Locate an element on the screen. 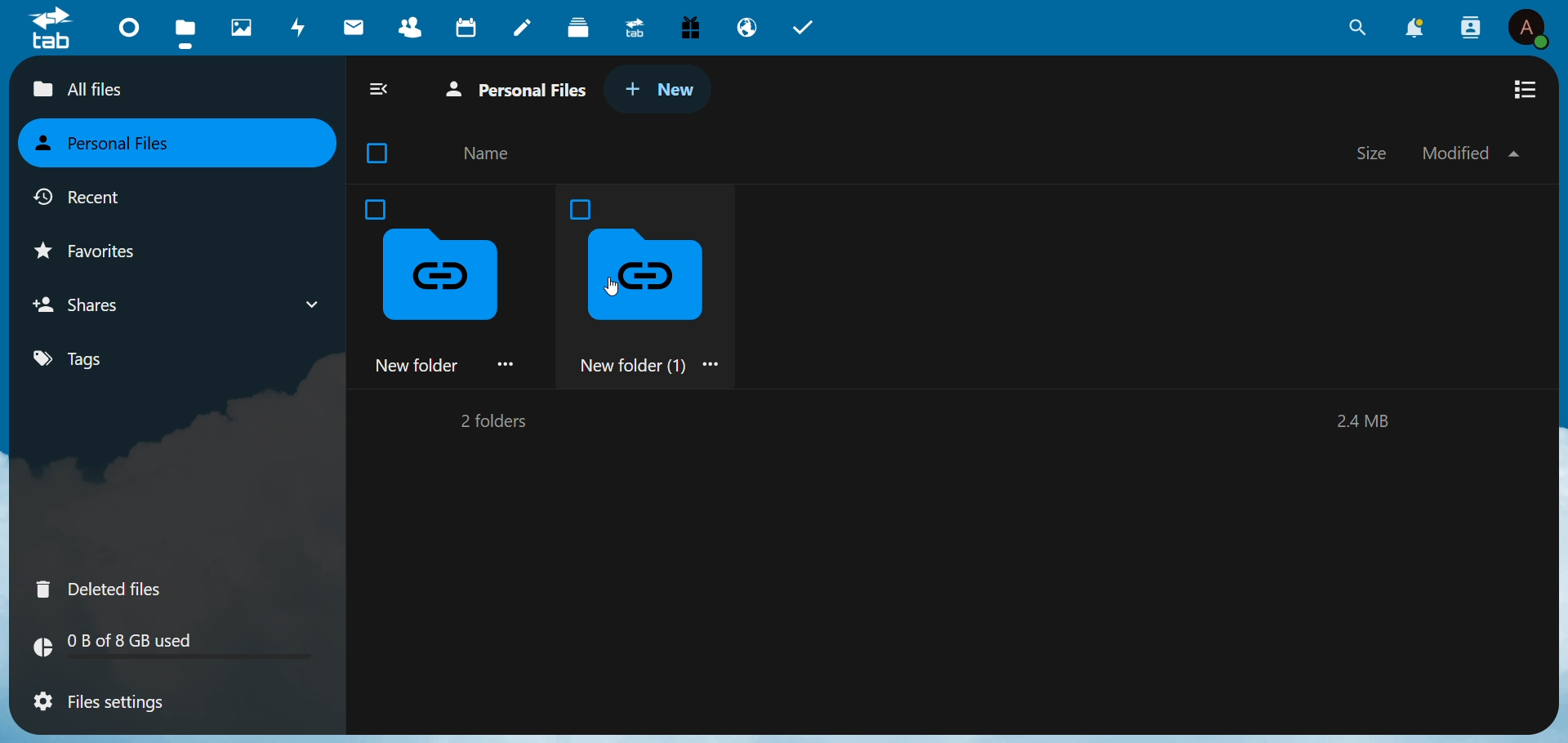  file is located at coordinates (185, 31).